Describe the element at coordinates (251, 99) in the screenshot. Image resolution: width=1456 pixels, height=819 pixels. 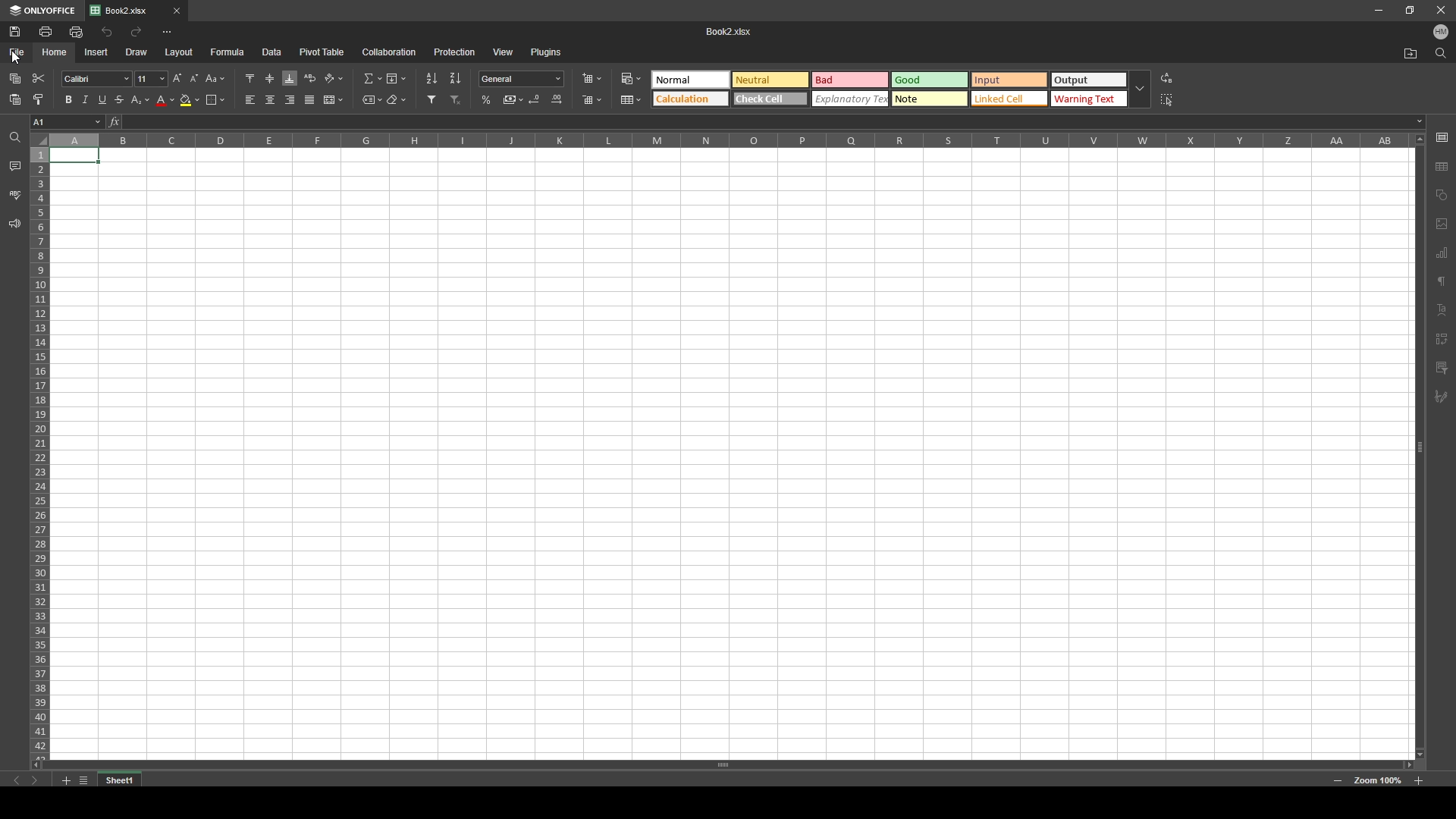
I see `align left` at that location.